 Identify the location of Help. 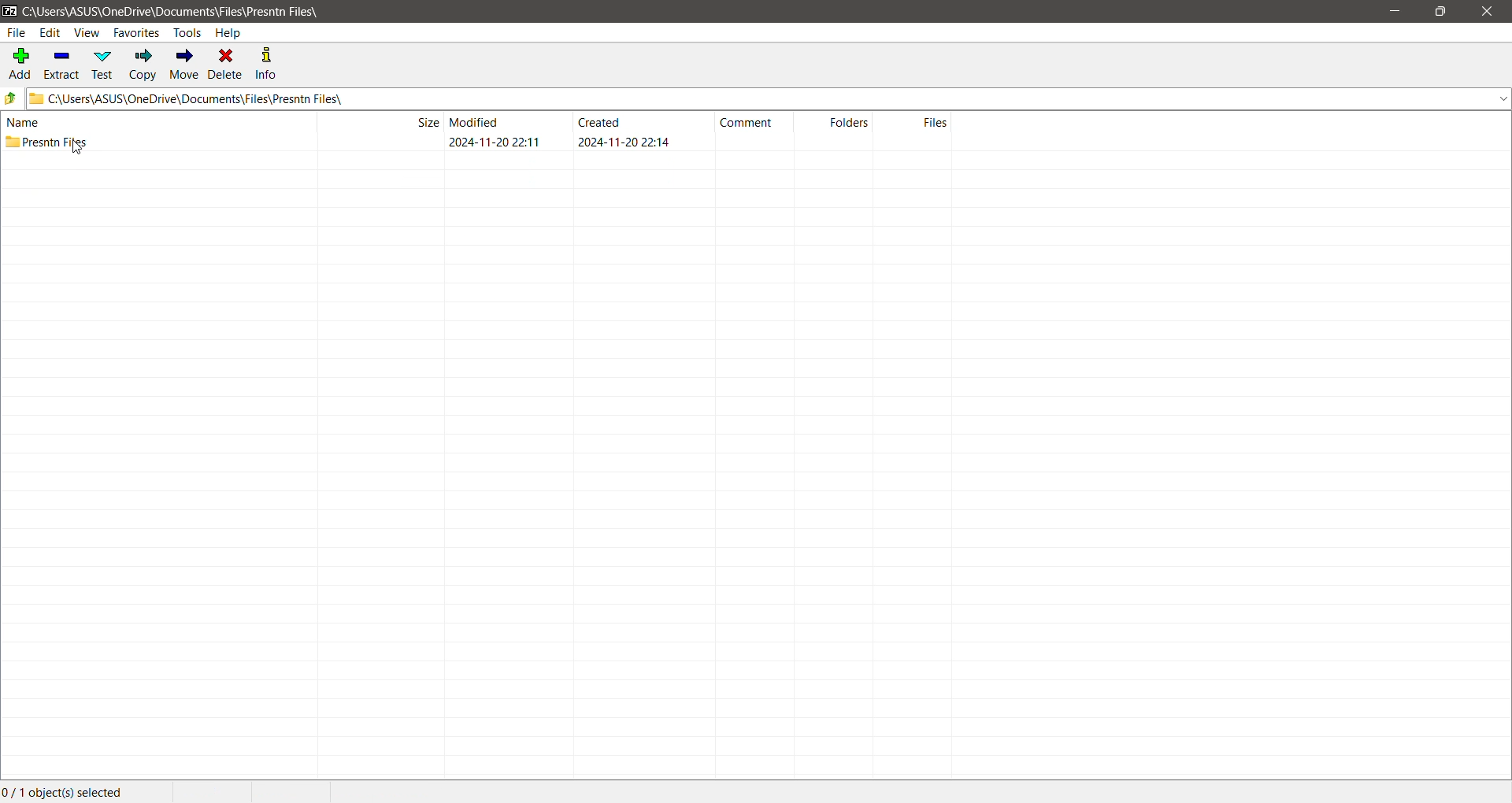
(230, 32).